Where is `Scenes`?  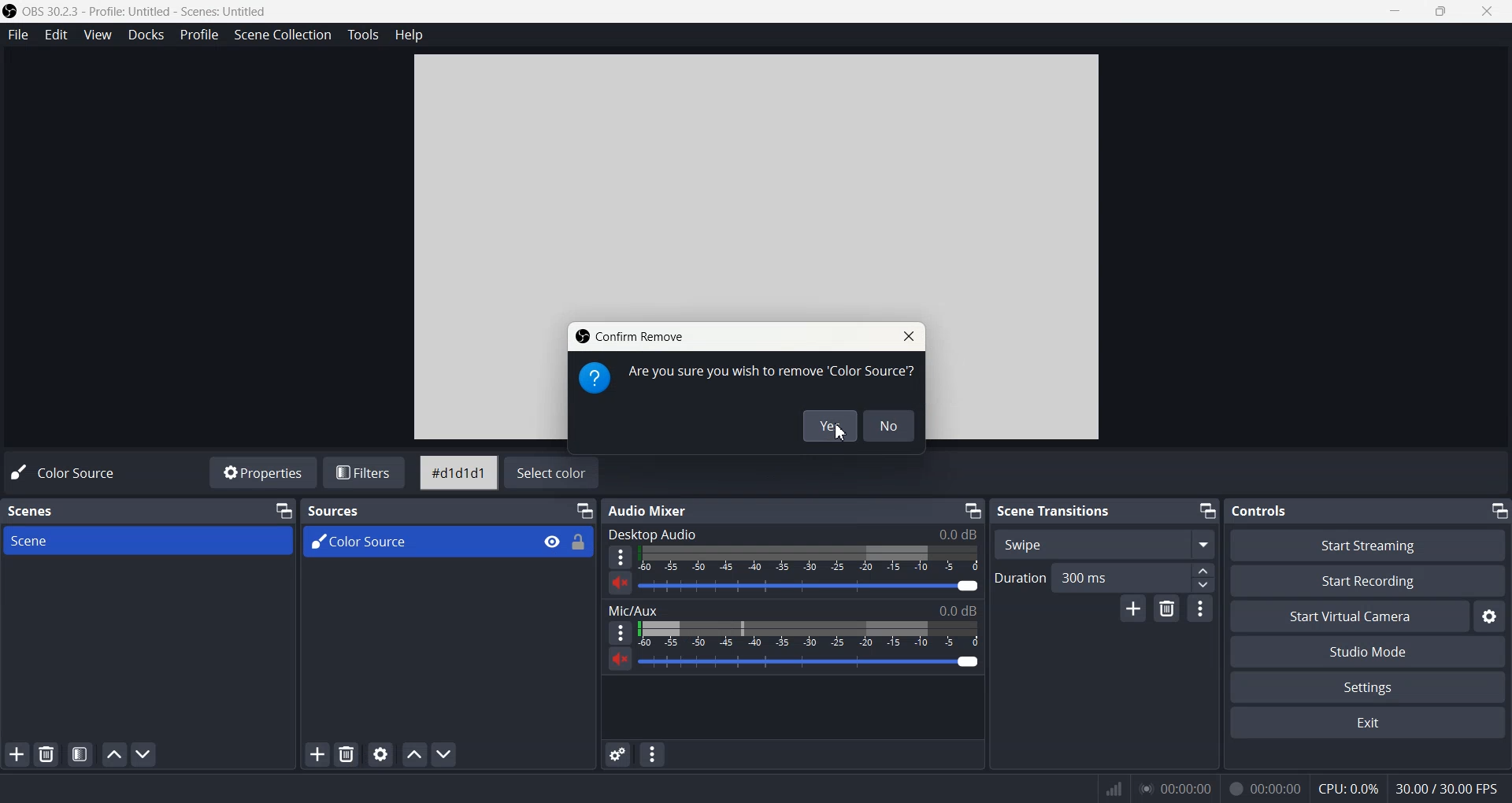 Scenes is located at coordinates (32, 511).